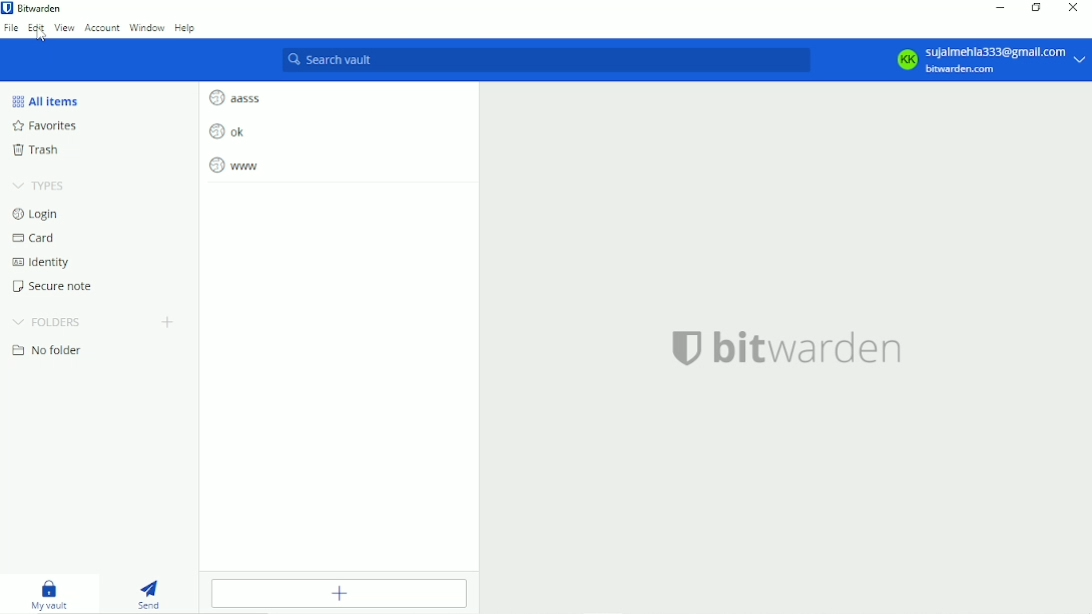  What do you see at coordinates (51, 594) in the screenshot?
I see `My vault` at bounding box center [51, 594].